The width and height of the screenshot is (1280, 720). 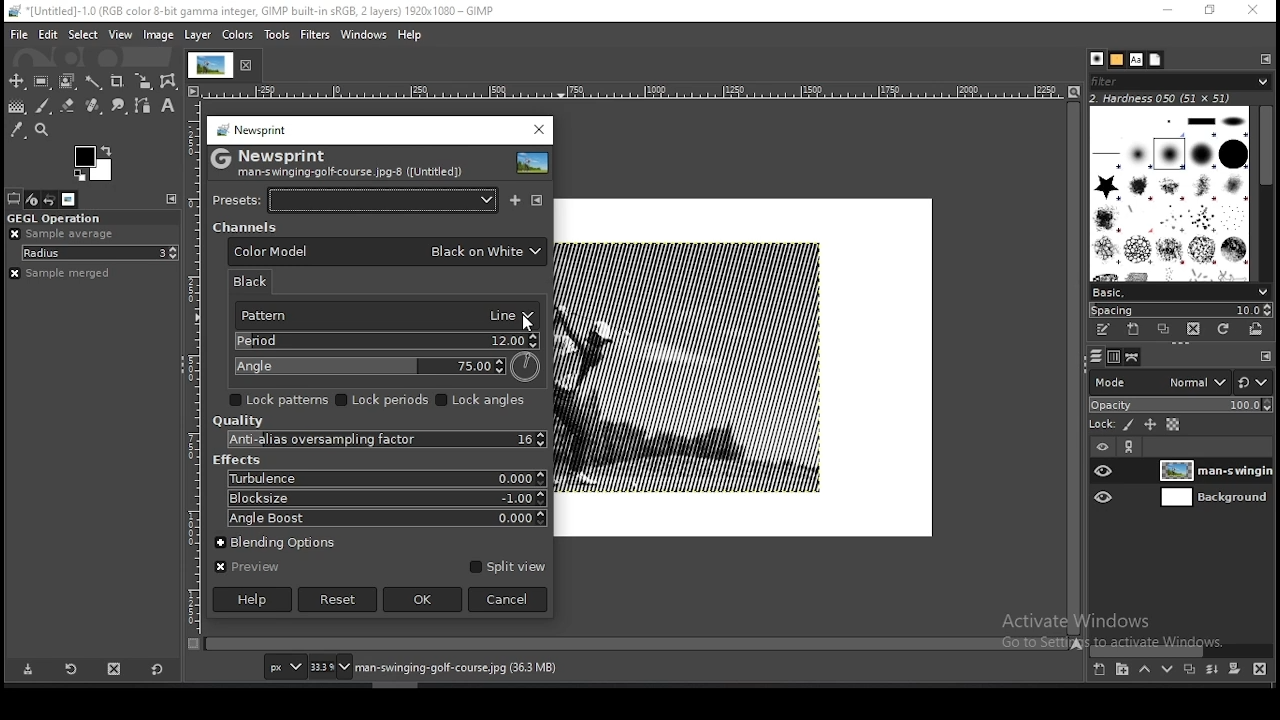 What do you see at coordinates (83, 35) in the screenshot?
I see `select` at bounding box center [83, 35].